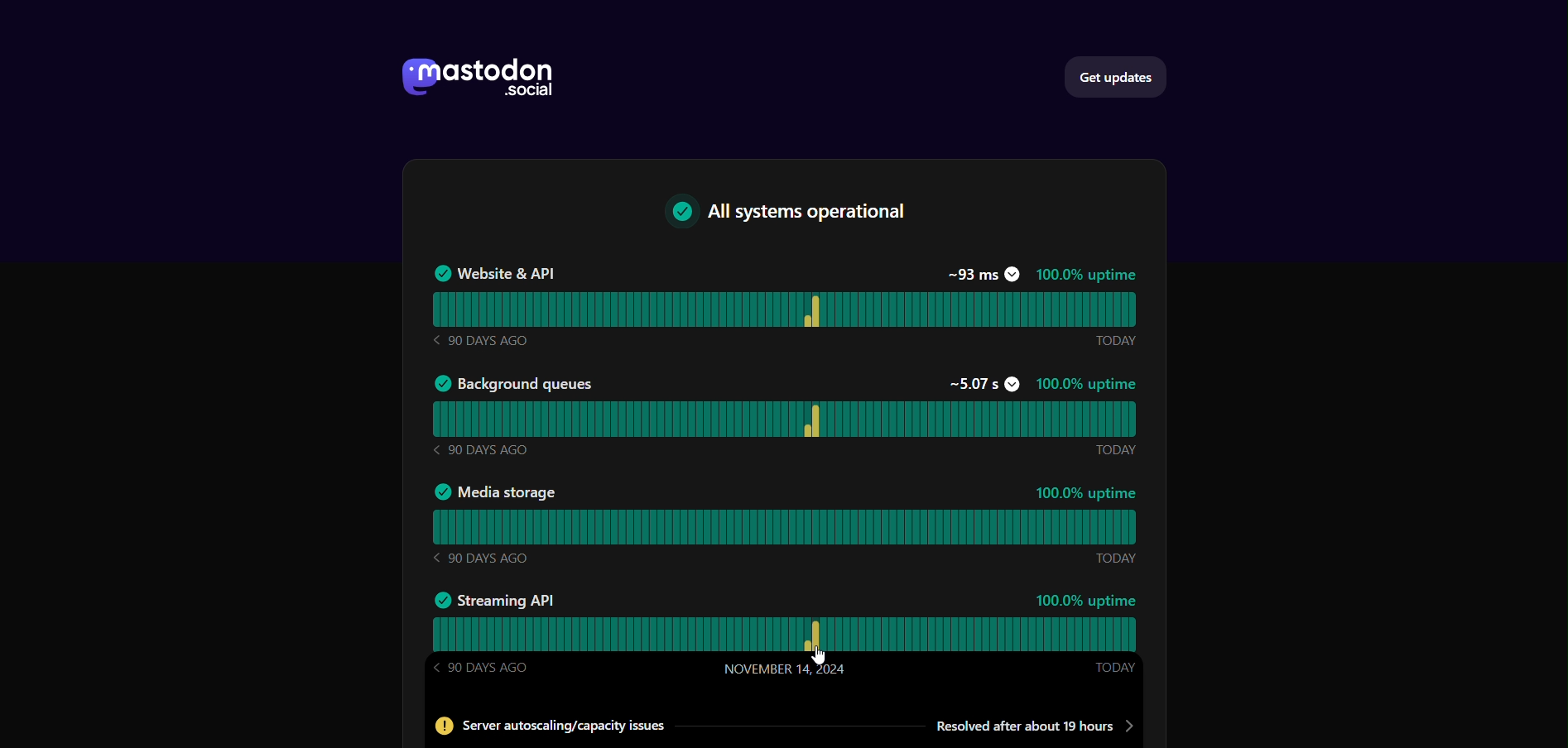  I want to click on text, so click(794, 215).